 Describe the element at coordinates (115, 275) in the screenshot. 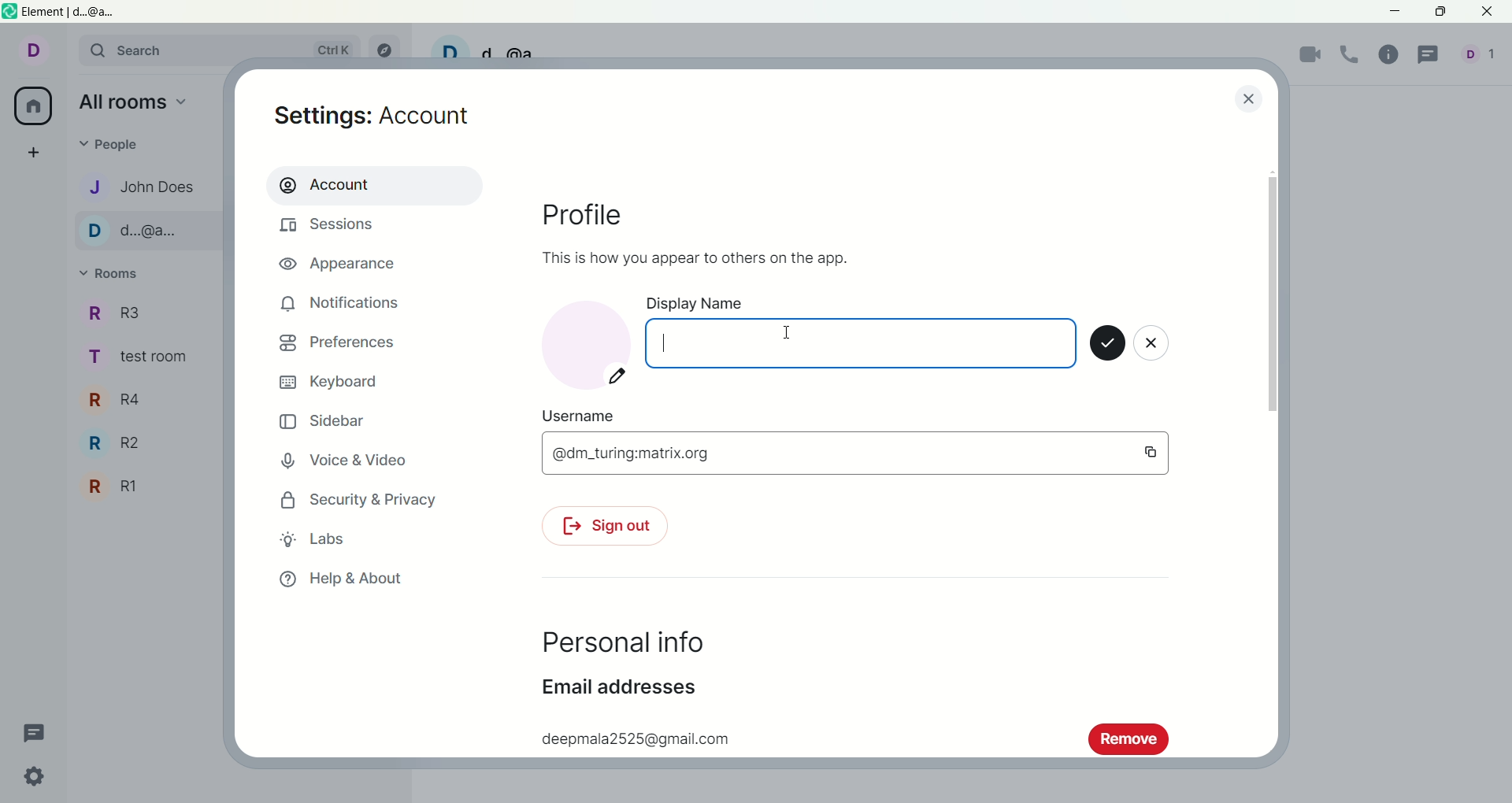

I see `rooms` at that location.